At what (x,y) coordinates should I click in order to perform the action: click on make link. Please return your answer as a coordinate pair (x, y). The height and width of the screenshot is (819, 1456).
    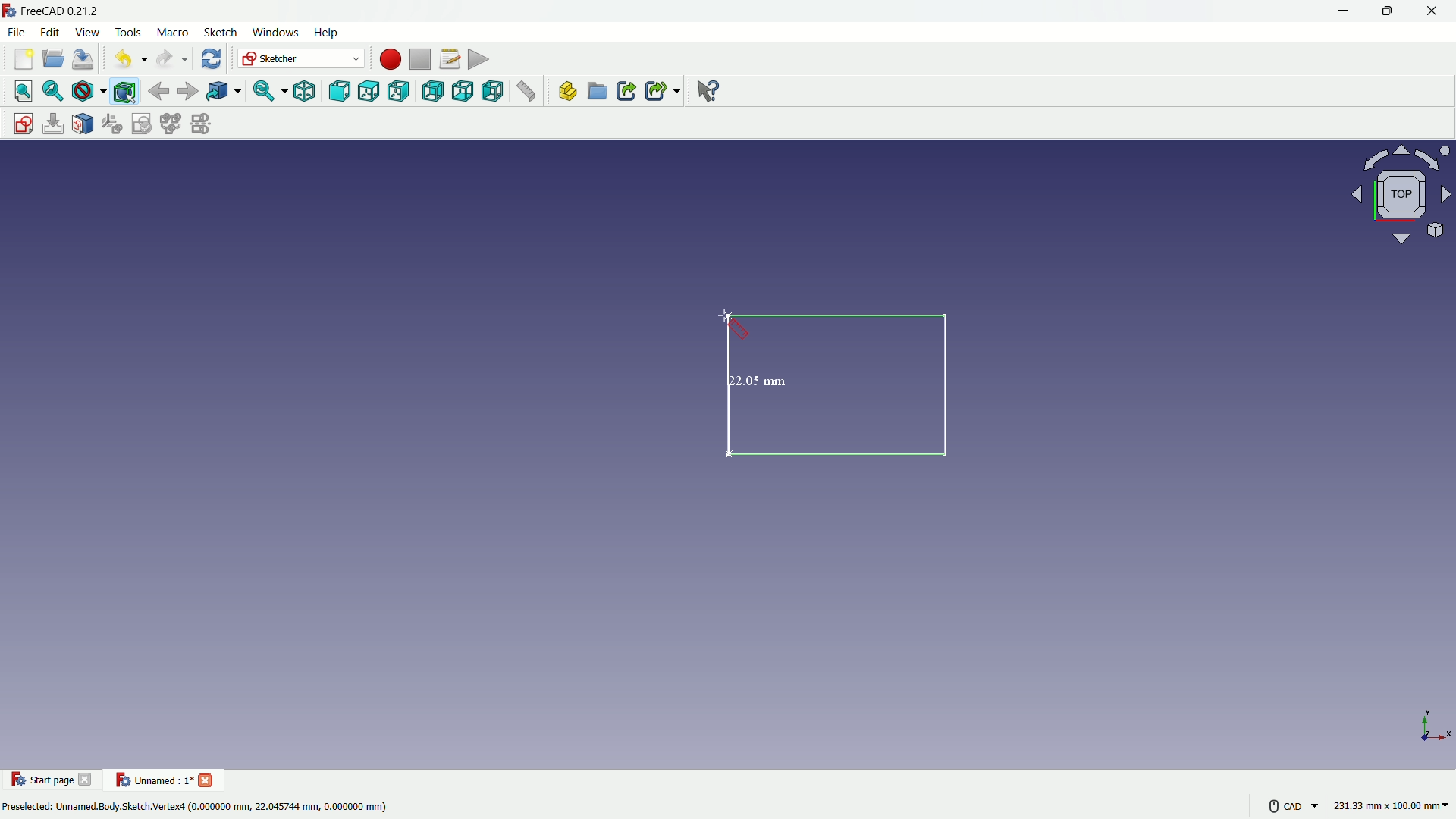
    Looking at the image, I should click on (626, 93).